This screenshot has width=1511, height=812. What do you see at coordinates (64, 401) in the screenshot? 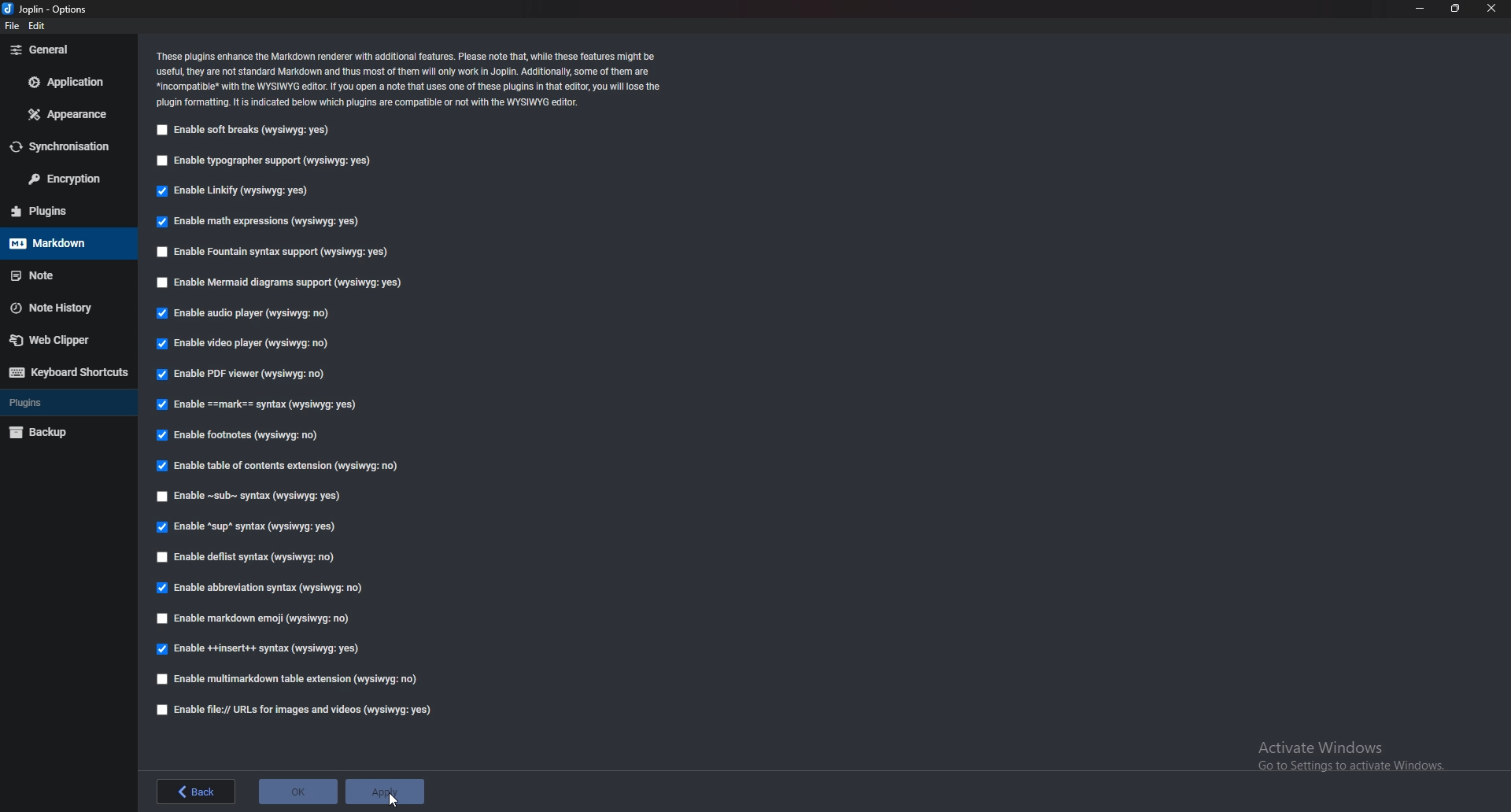
I see `Plugins` at bounding box center [64, 401].